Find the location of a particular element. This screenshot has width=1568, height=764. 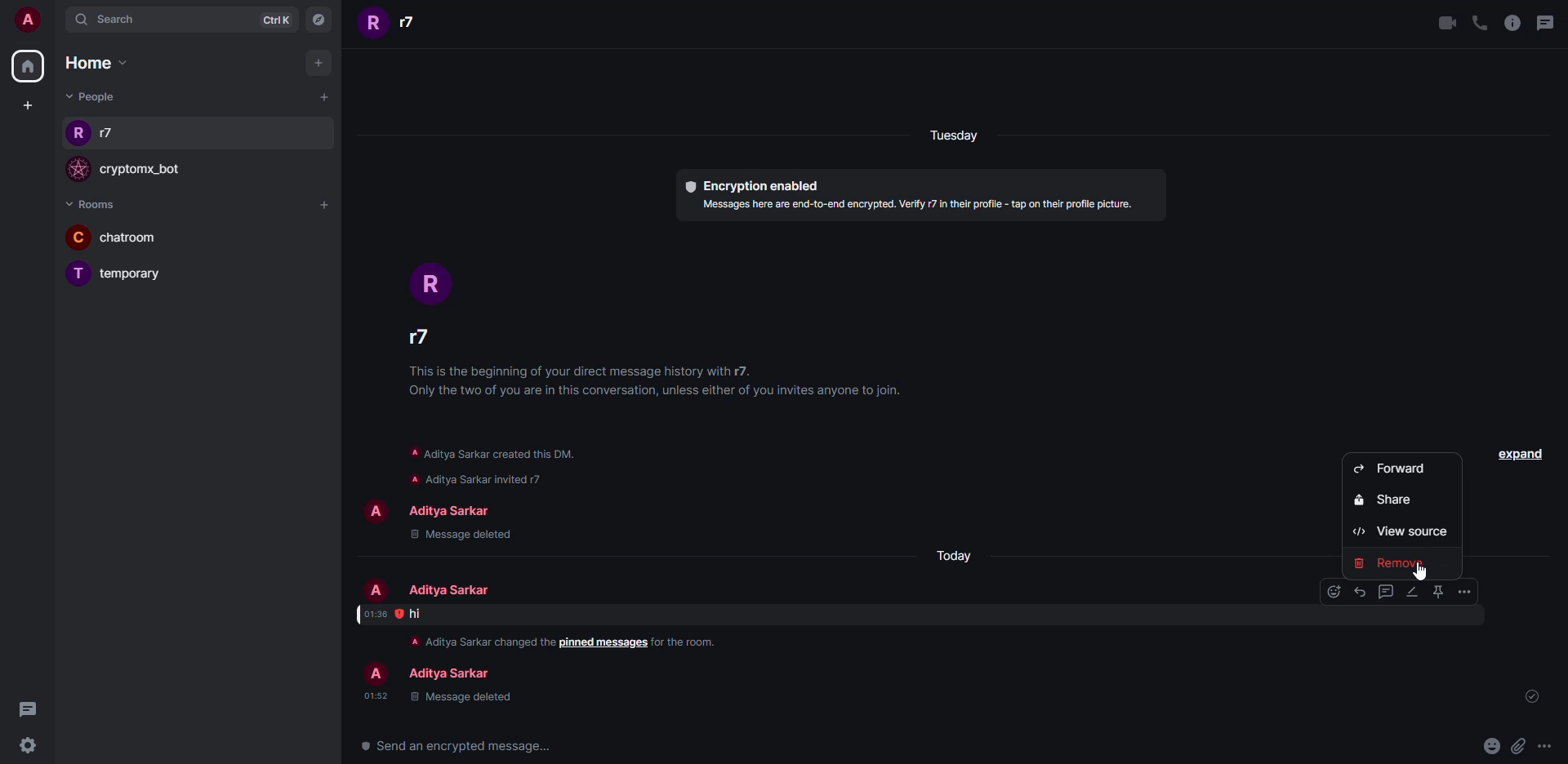

more is located at coordinates (1464, 592).